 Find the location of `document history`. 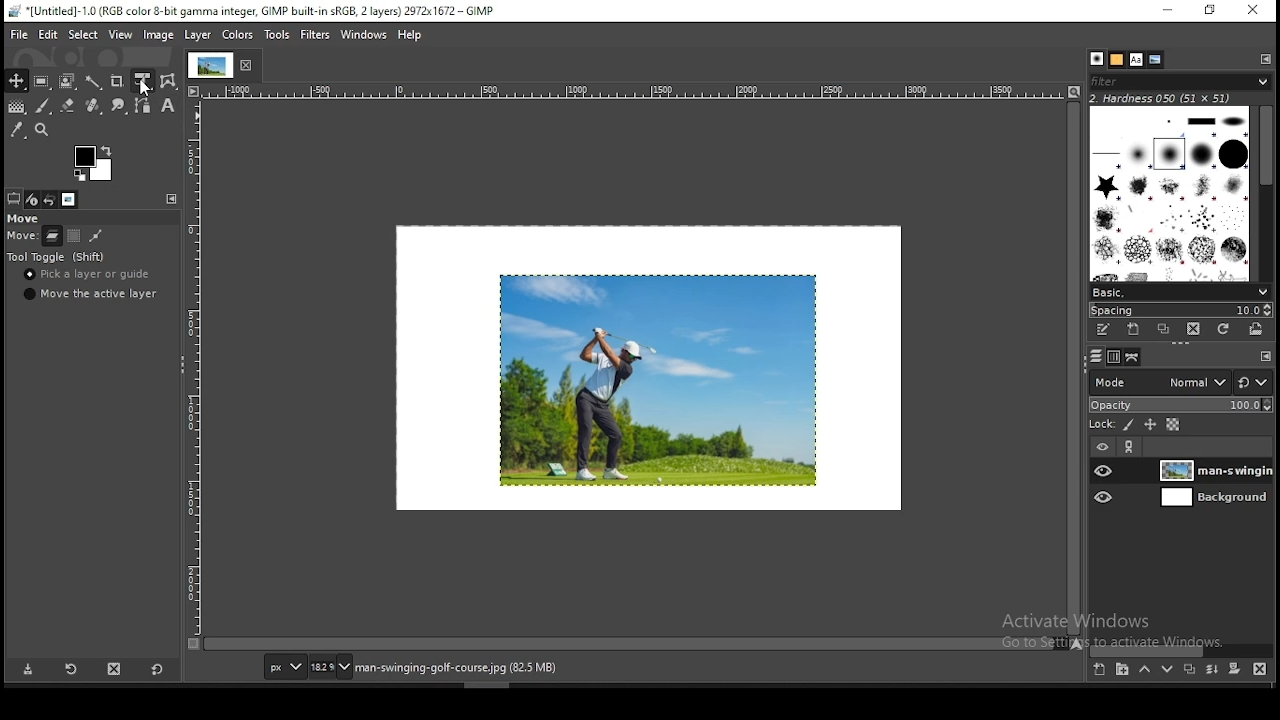

document history is located at coordinates (1155, 60).